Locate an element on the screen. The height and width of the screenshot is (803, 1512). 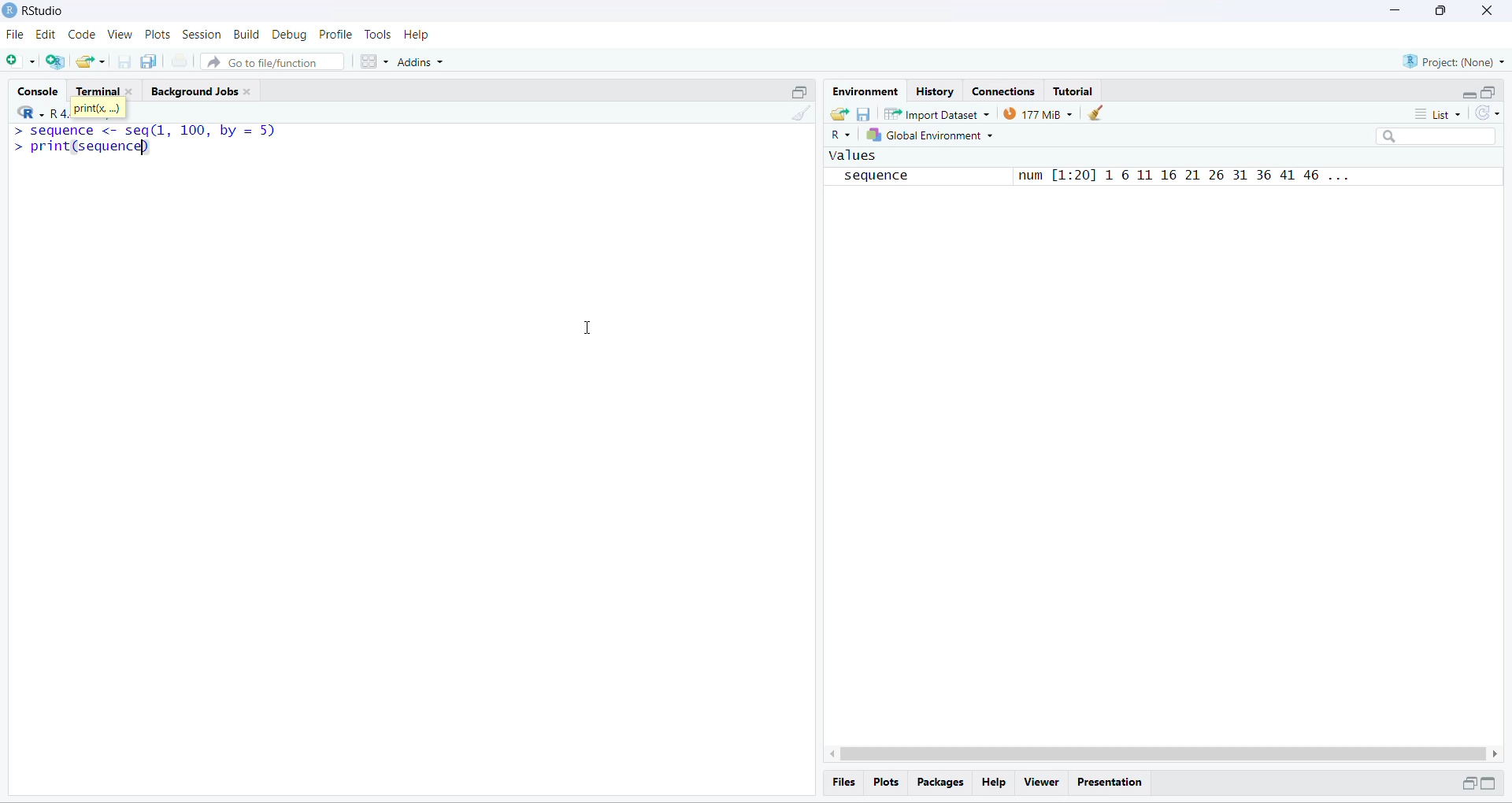
session is located at coordinates (202, 35).